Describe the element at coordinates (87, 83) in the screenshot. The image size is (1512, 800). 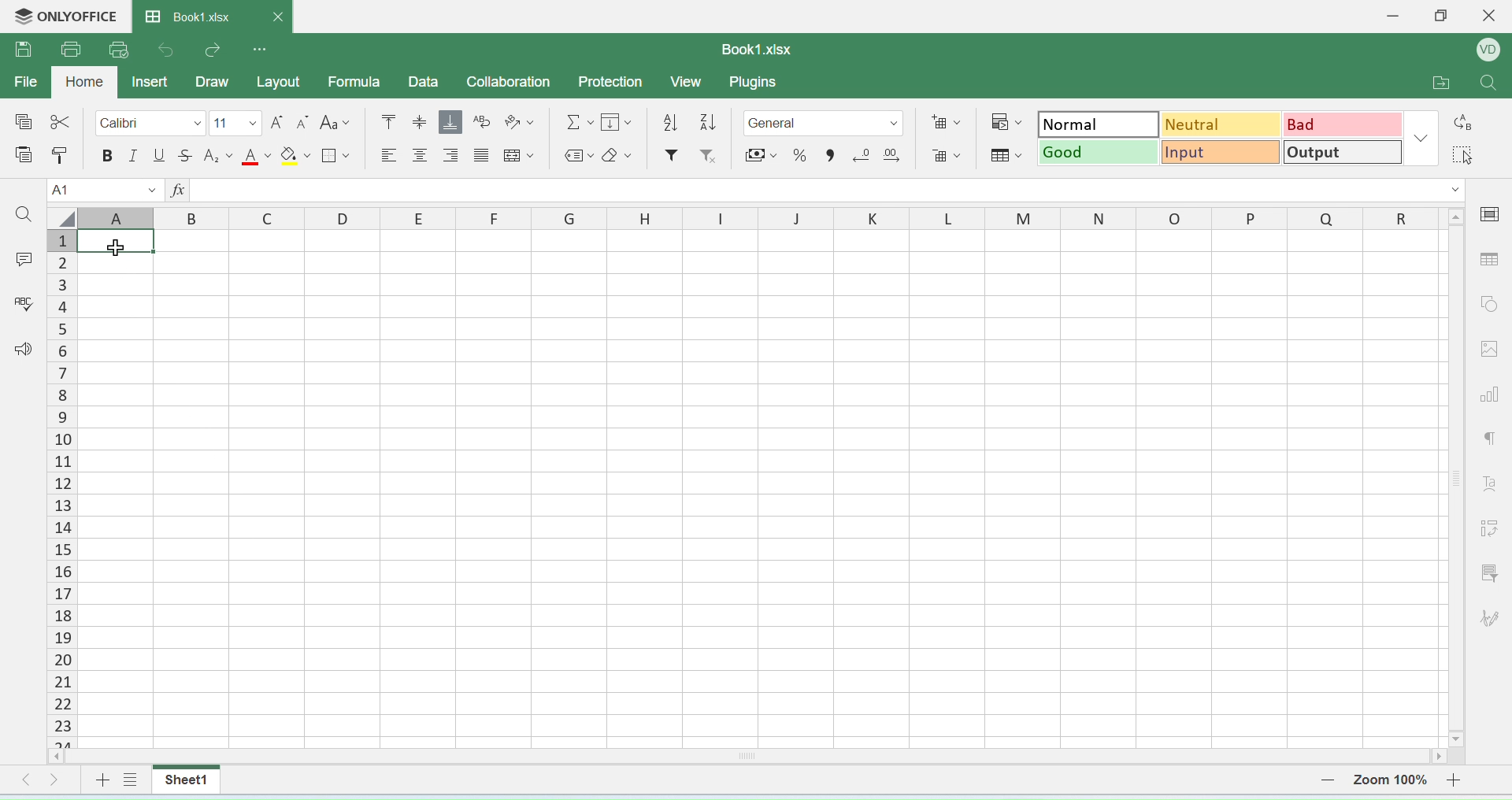
I see `` at that location.